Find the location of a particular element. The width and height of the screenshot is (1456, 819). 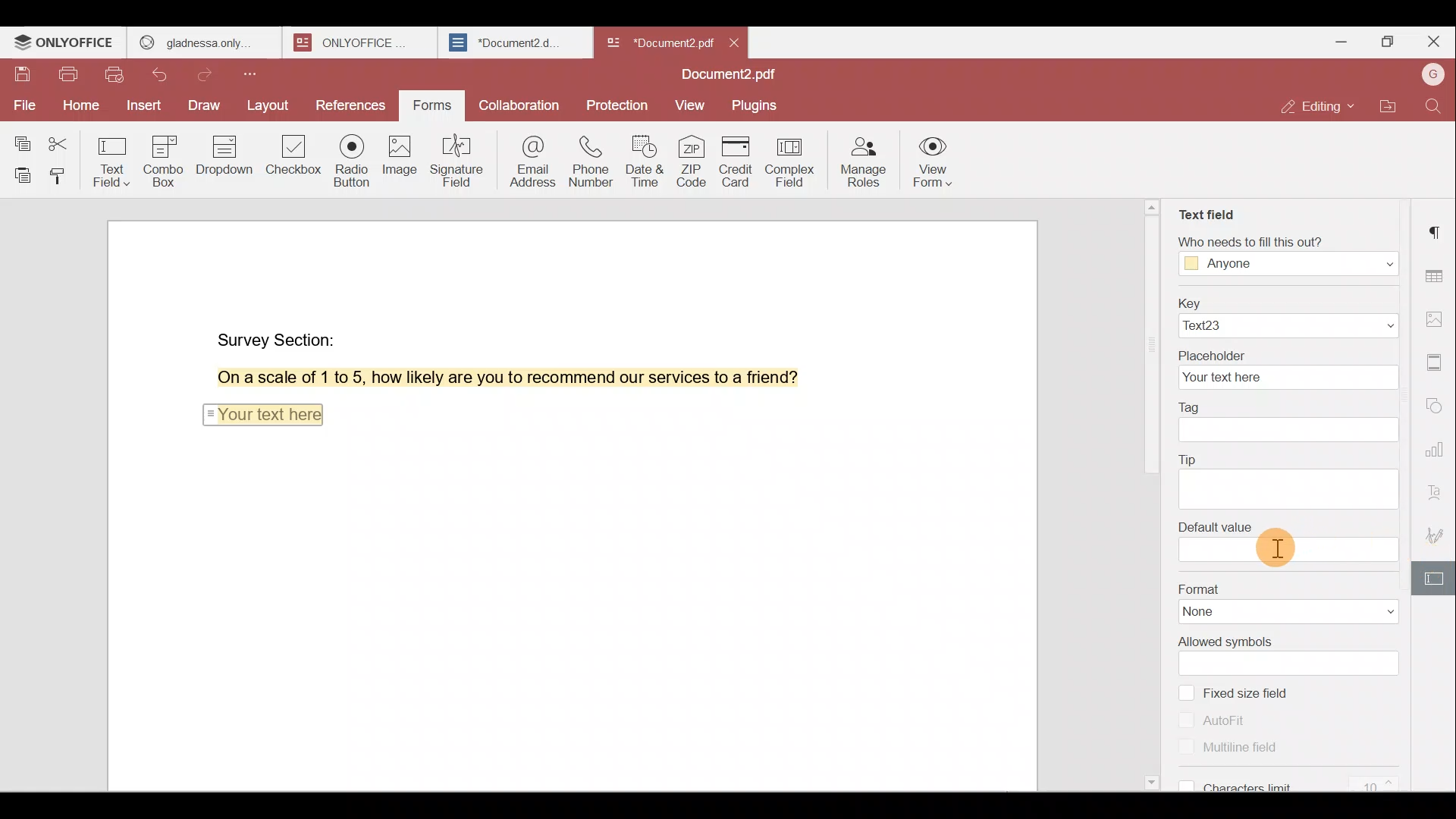

Multiline field is located at coordinates (1223, 745).